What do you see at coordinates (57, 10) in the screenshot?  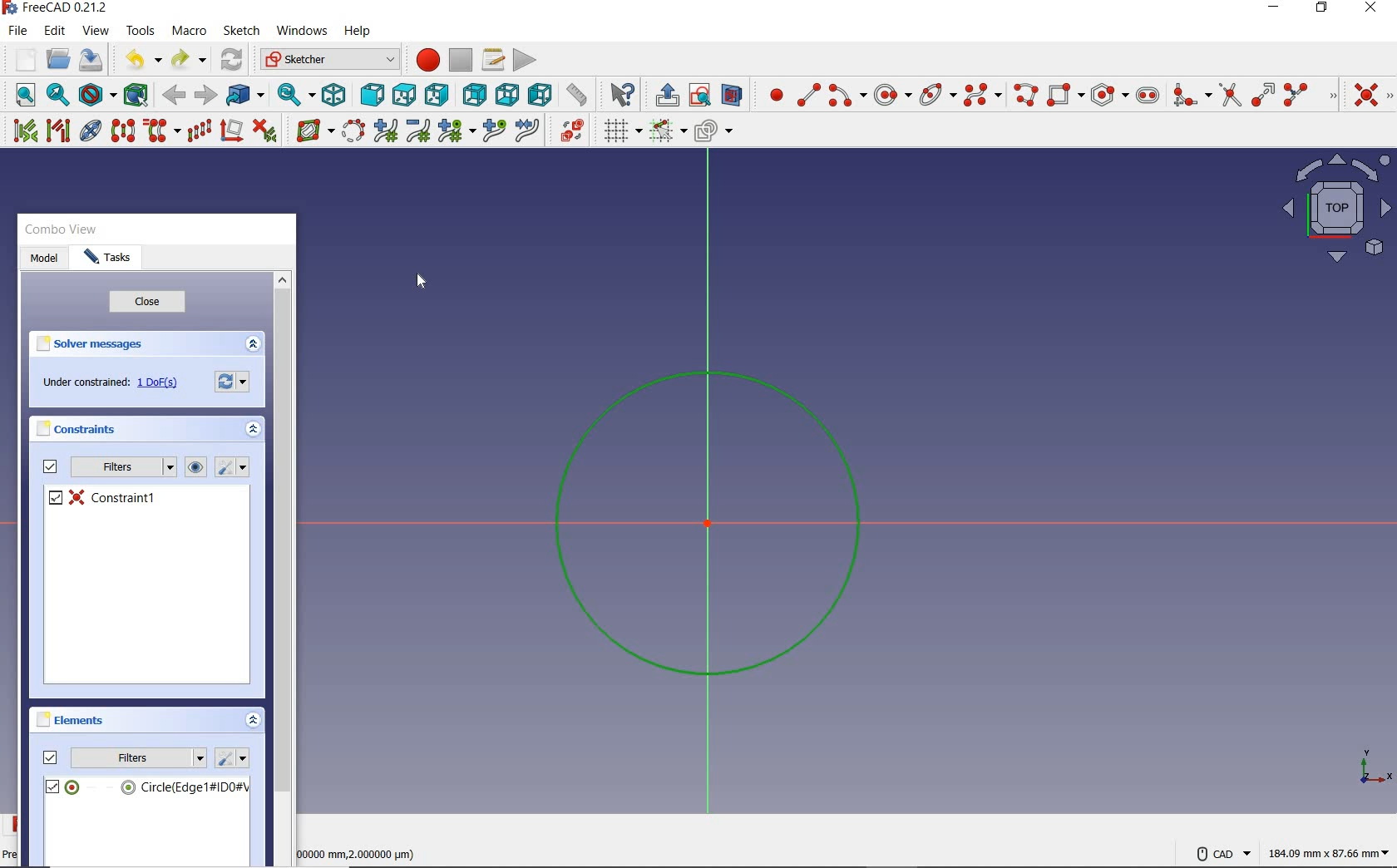 I see `system name` at bounding box center [57, 10].